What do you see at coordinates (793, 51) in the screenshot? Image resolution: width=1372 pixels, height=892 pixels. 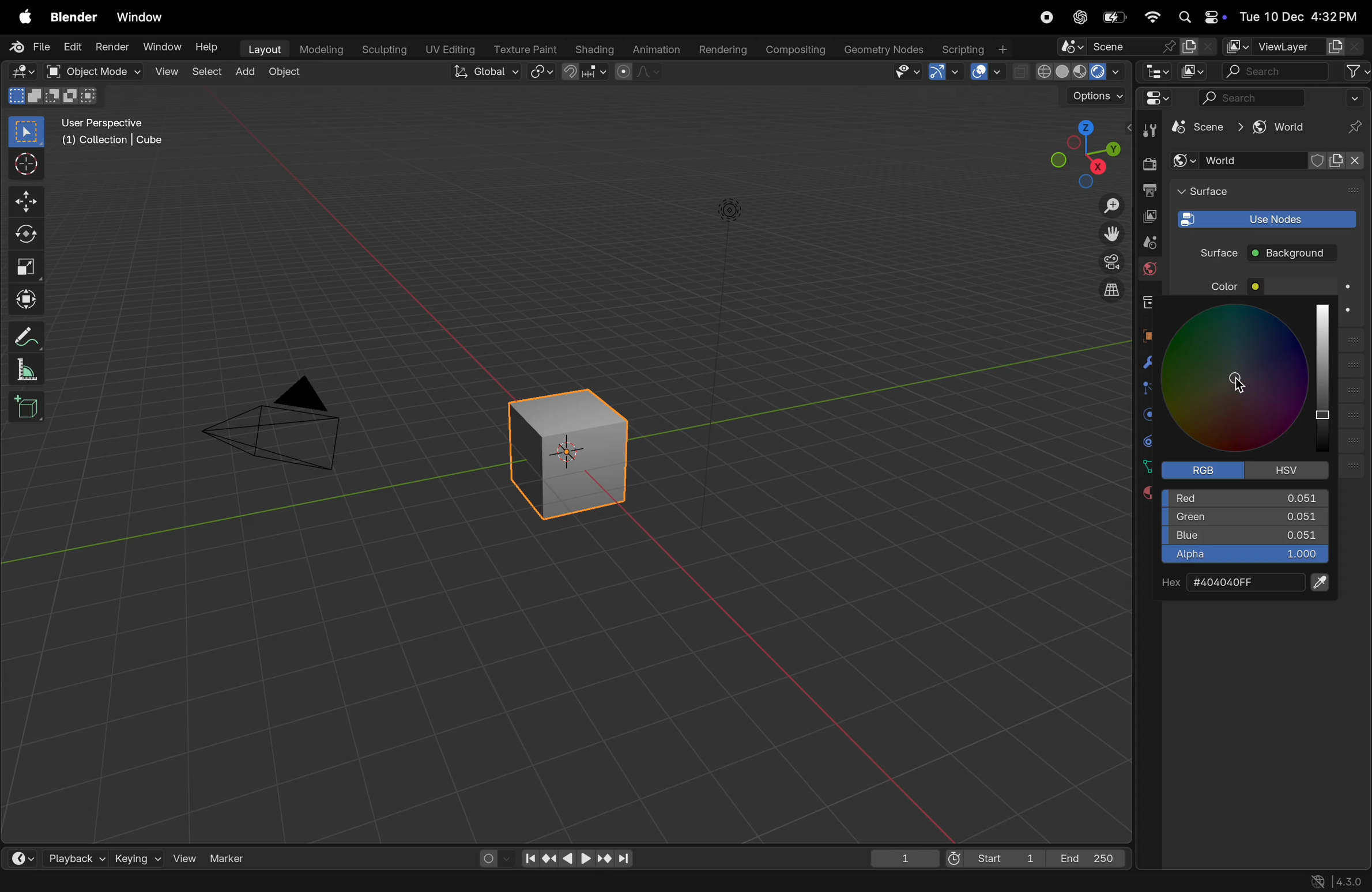 I see `Composting` at bounding box center [793, 51].